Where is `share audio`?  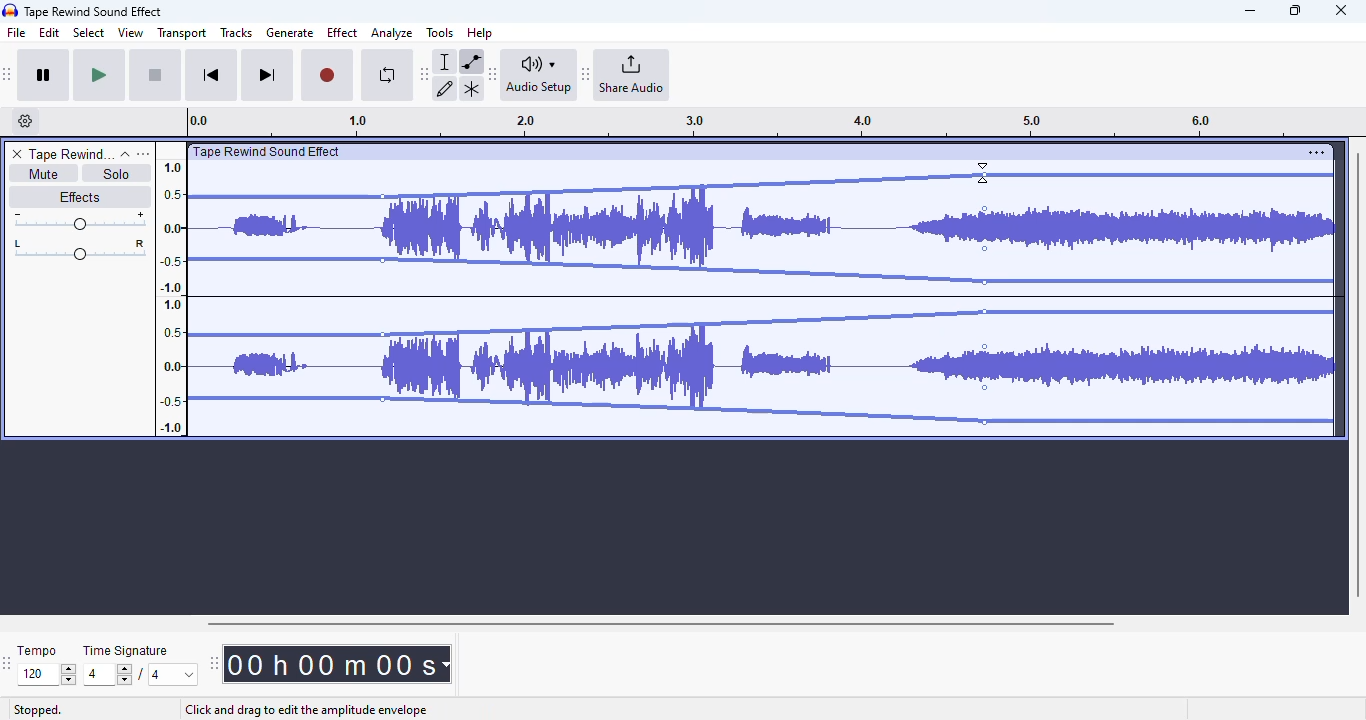
share audio is located at coordinates (633, 75).